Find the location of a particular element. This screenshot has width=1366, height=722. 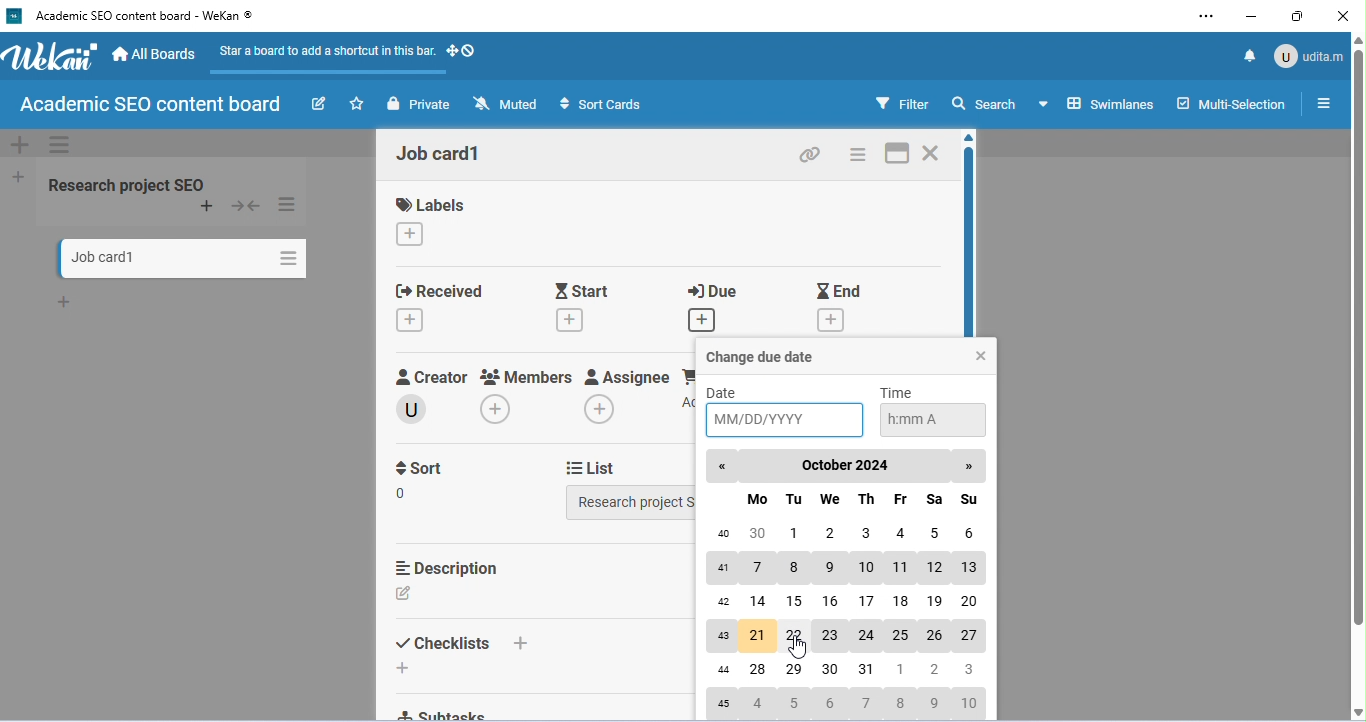

creator name is located at coordinates (420, 409).